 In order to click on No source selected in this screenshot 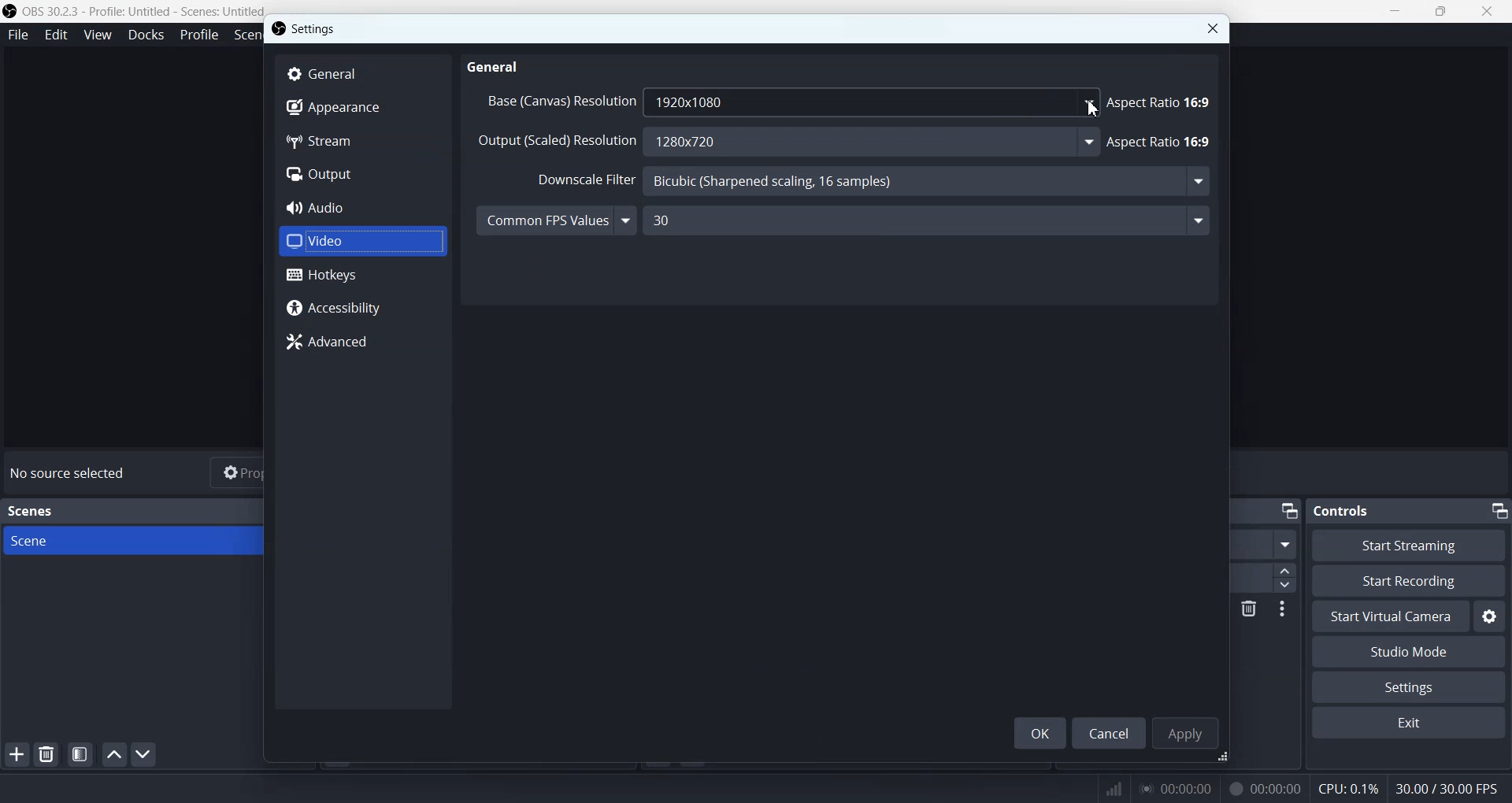, I will do `click(72, 475)`.